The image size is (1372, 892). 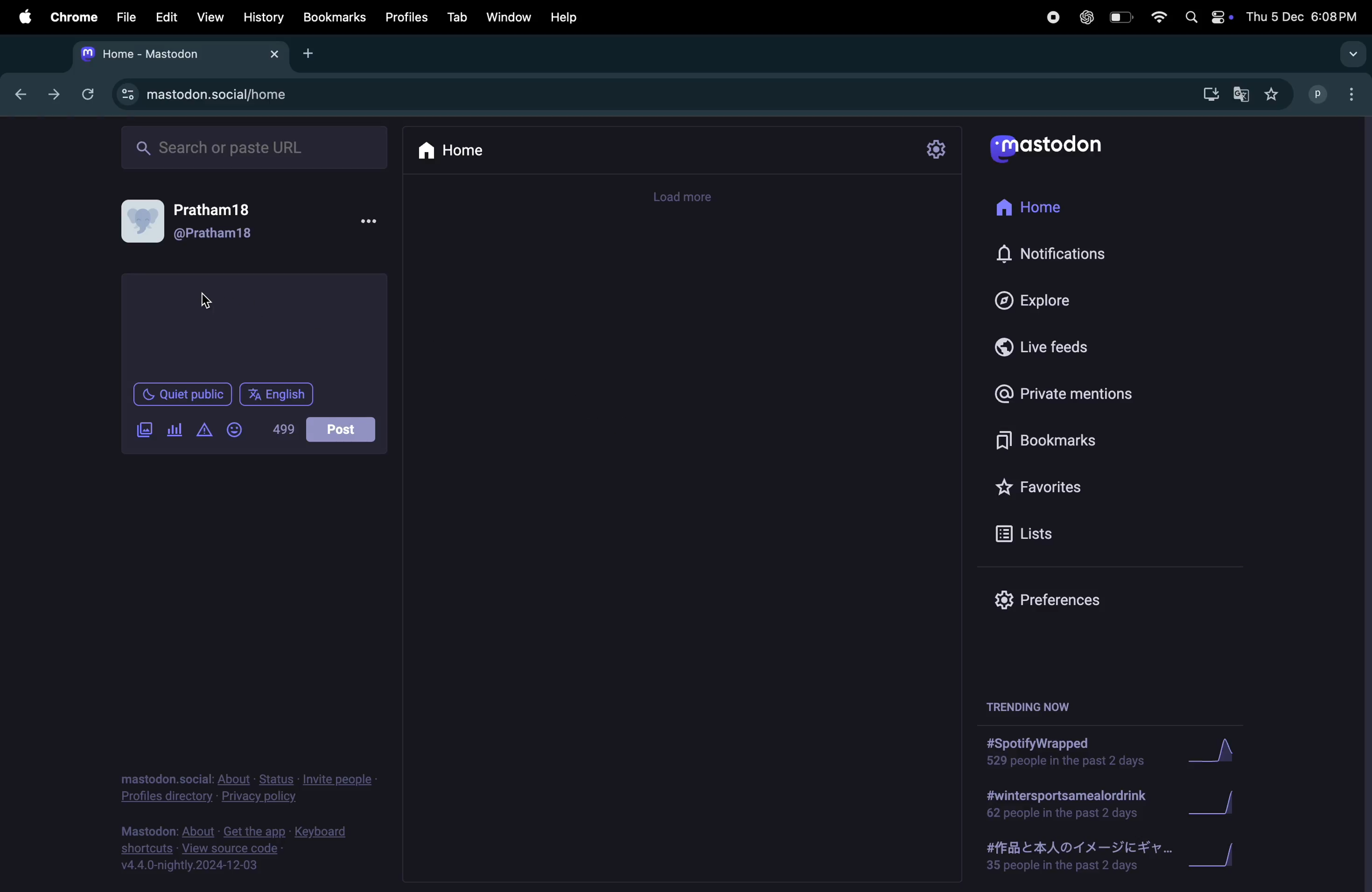 I want to click on alert, so click(x=205, y=430).